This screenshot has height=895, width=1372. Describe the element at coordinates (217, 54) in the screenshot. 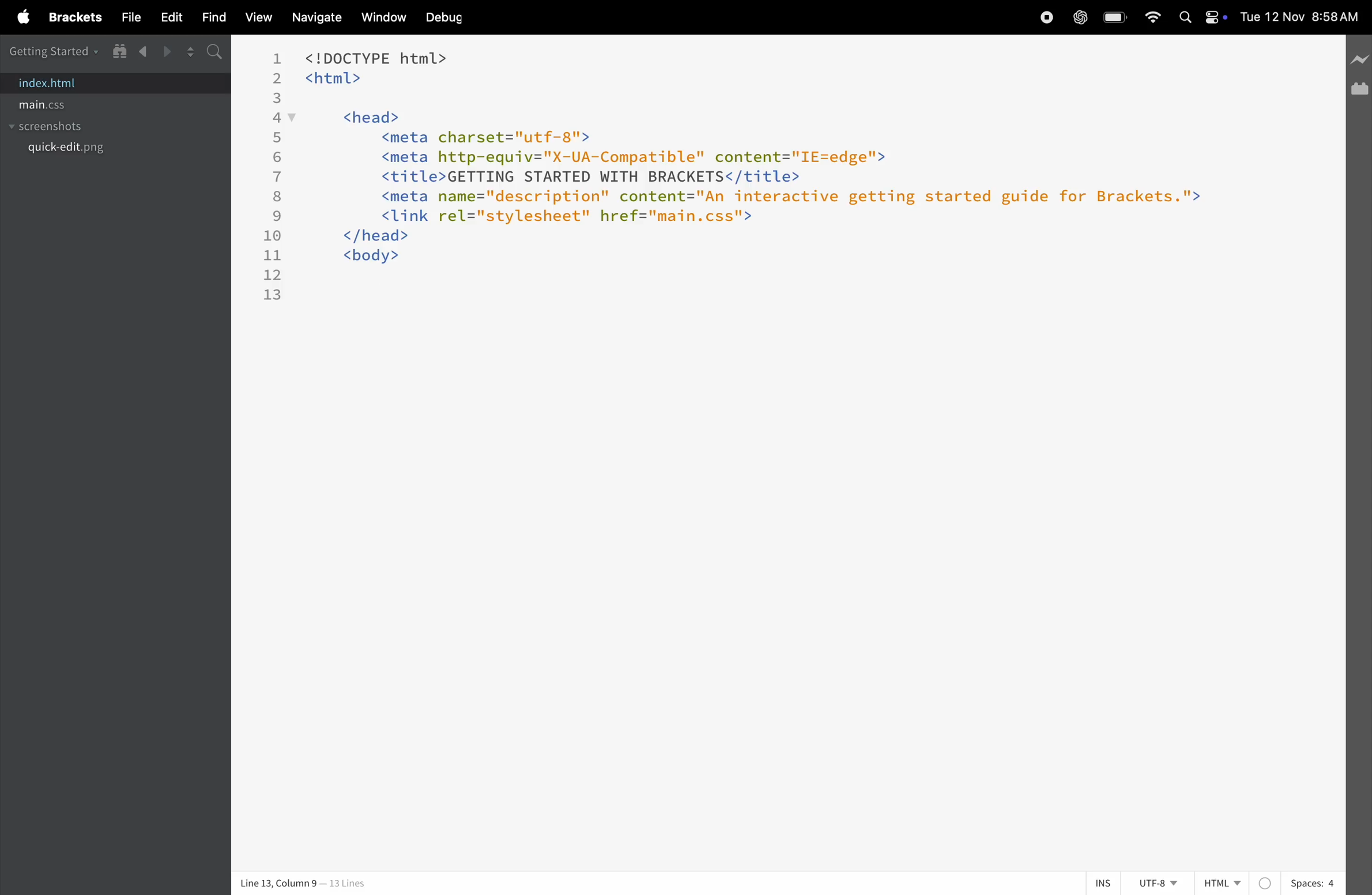

I see `search` at that location.